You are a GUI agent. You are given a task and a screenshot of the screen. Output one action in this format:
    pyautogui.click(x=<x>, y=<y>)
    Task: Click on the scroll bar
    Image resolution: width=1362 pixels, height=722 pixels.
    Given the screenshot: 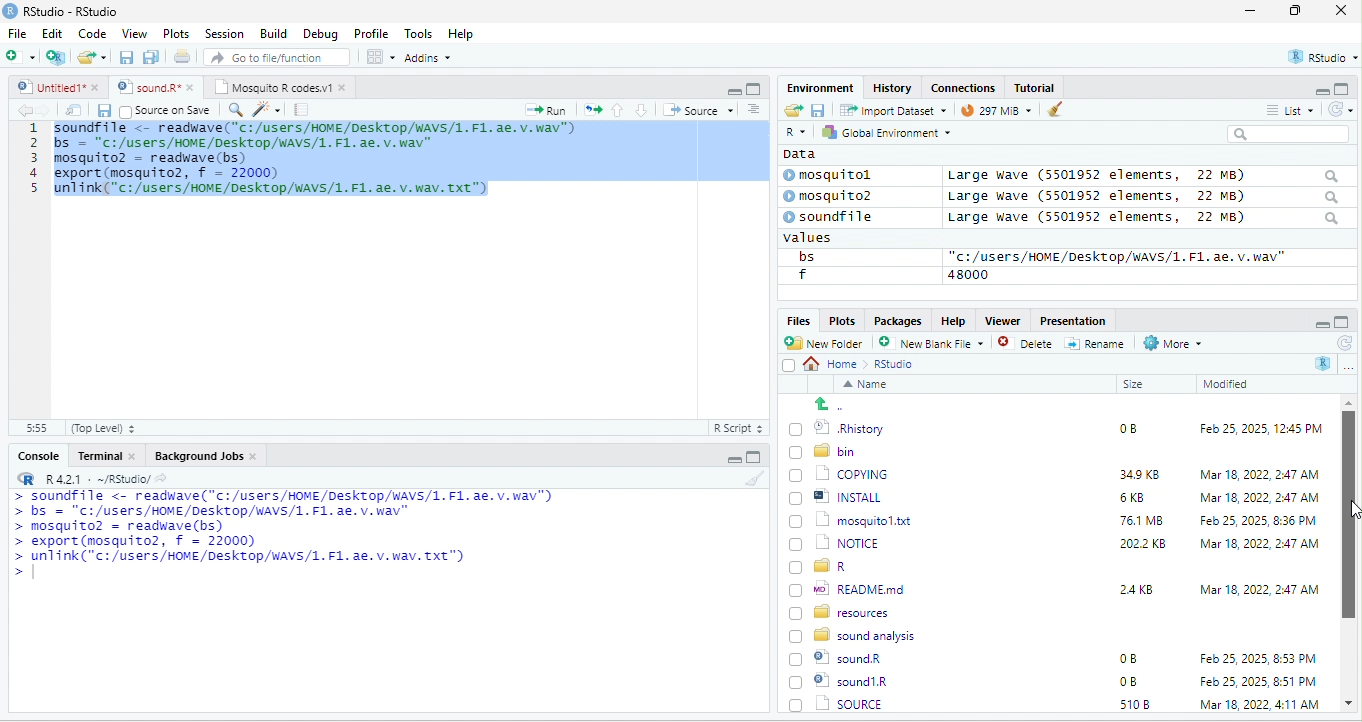 What is the action you would take?
    pyautogui.click(x=759, y=267)
    